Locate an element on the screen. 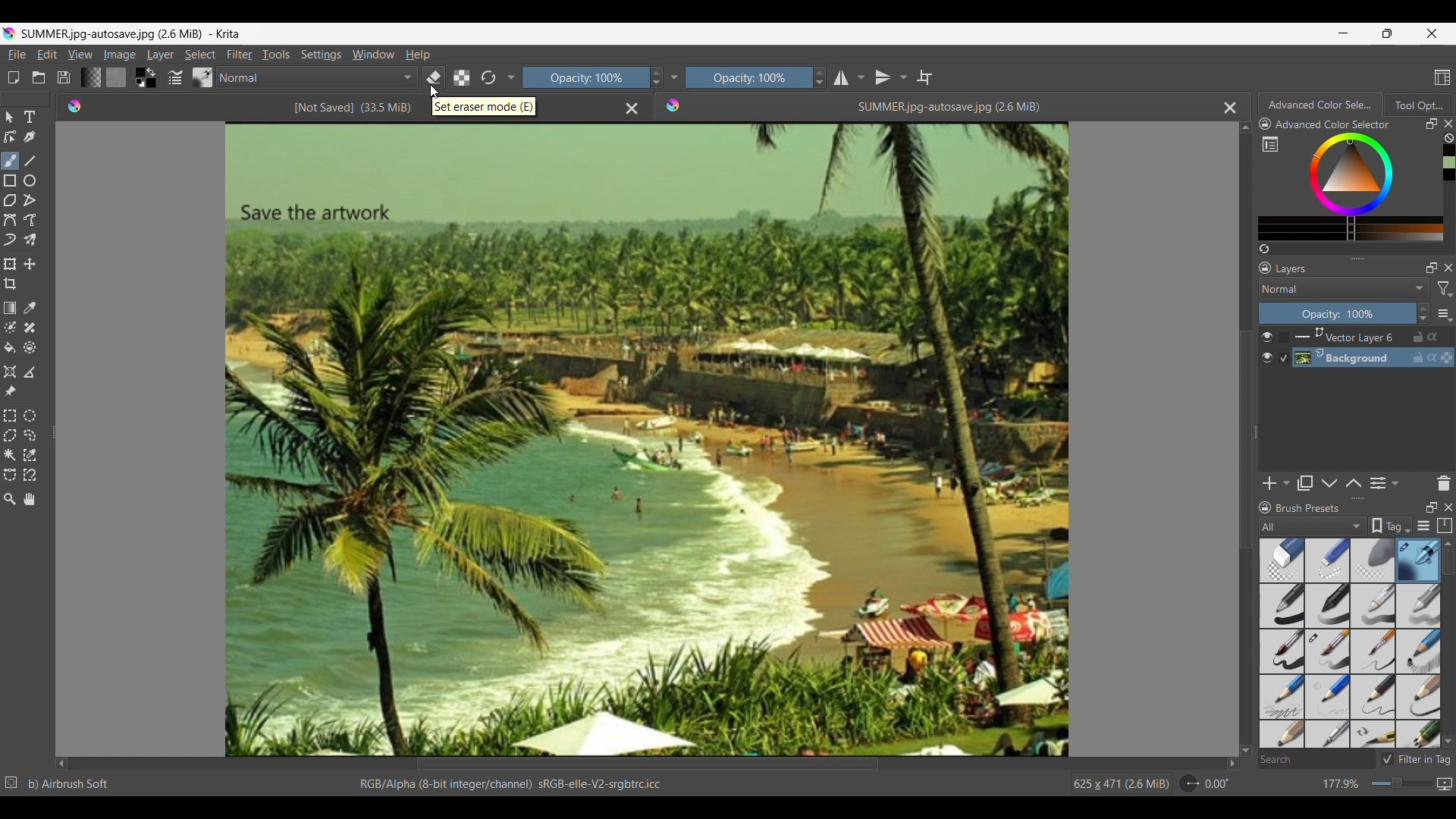  Quick slide to top is located at coordinates (1246, 128).